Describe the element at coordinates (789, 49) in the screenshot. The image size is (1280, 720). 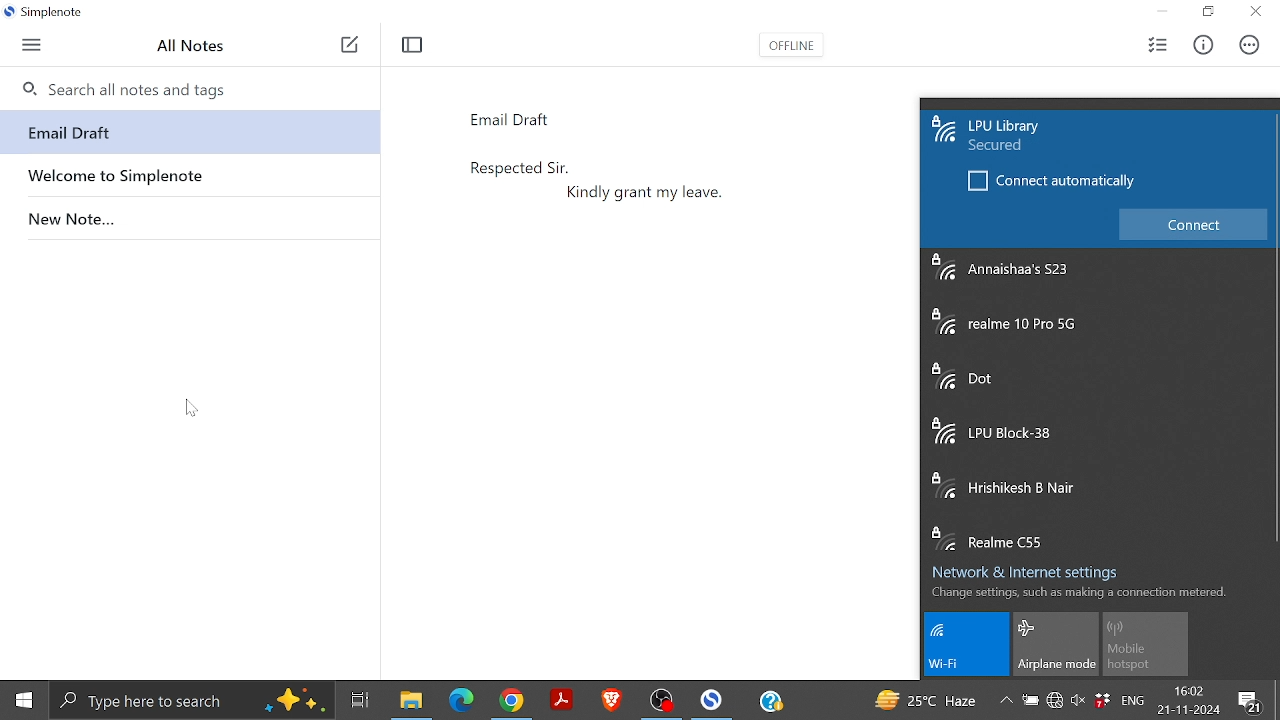
I see `offline` at that location.